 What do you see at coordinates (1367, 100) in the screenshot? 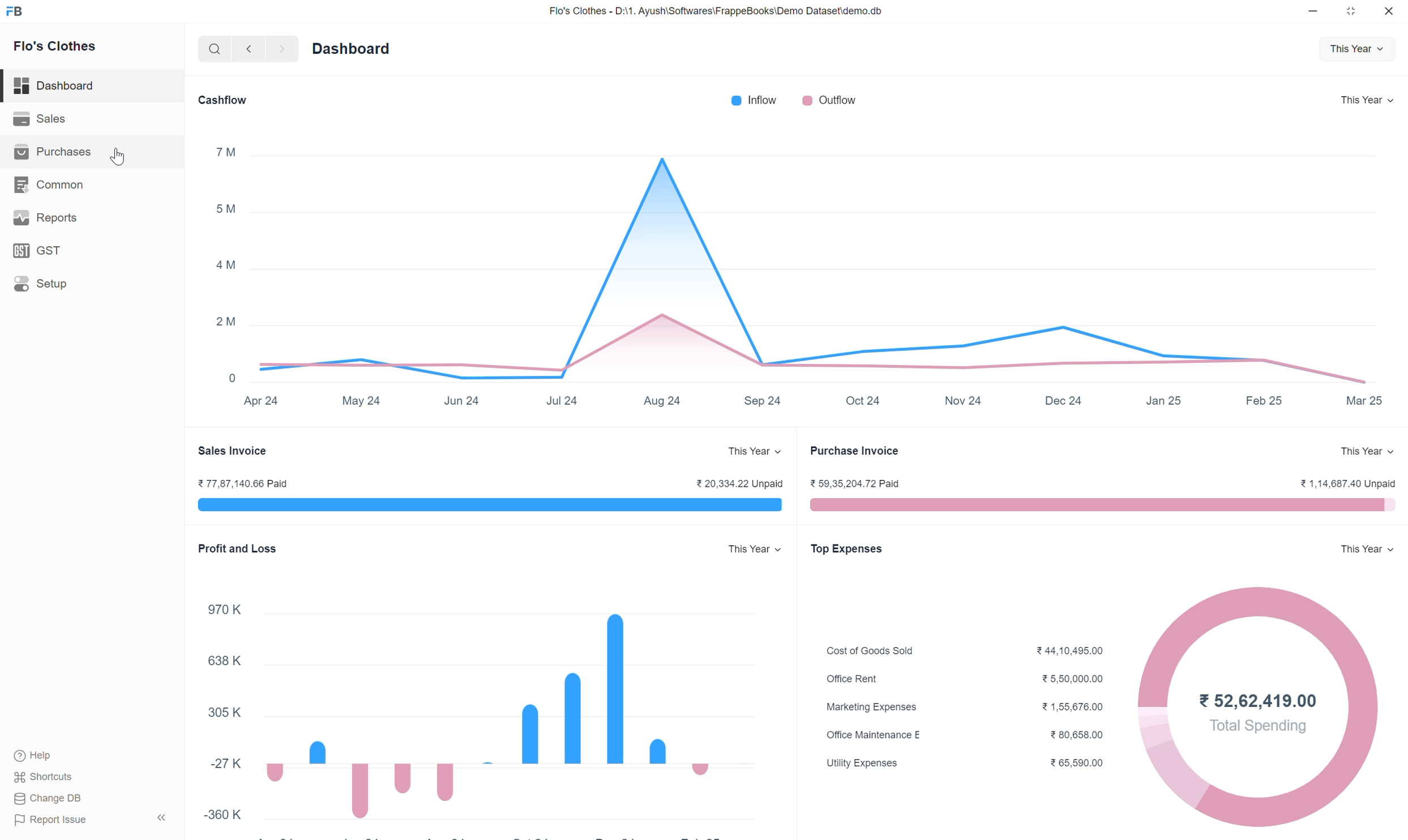
I see `This Year` at bounding box center [1367, 100].